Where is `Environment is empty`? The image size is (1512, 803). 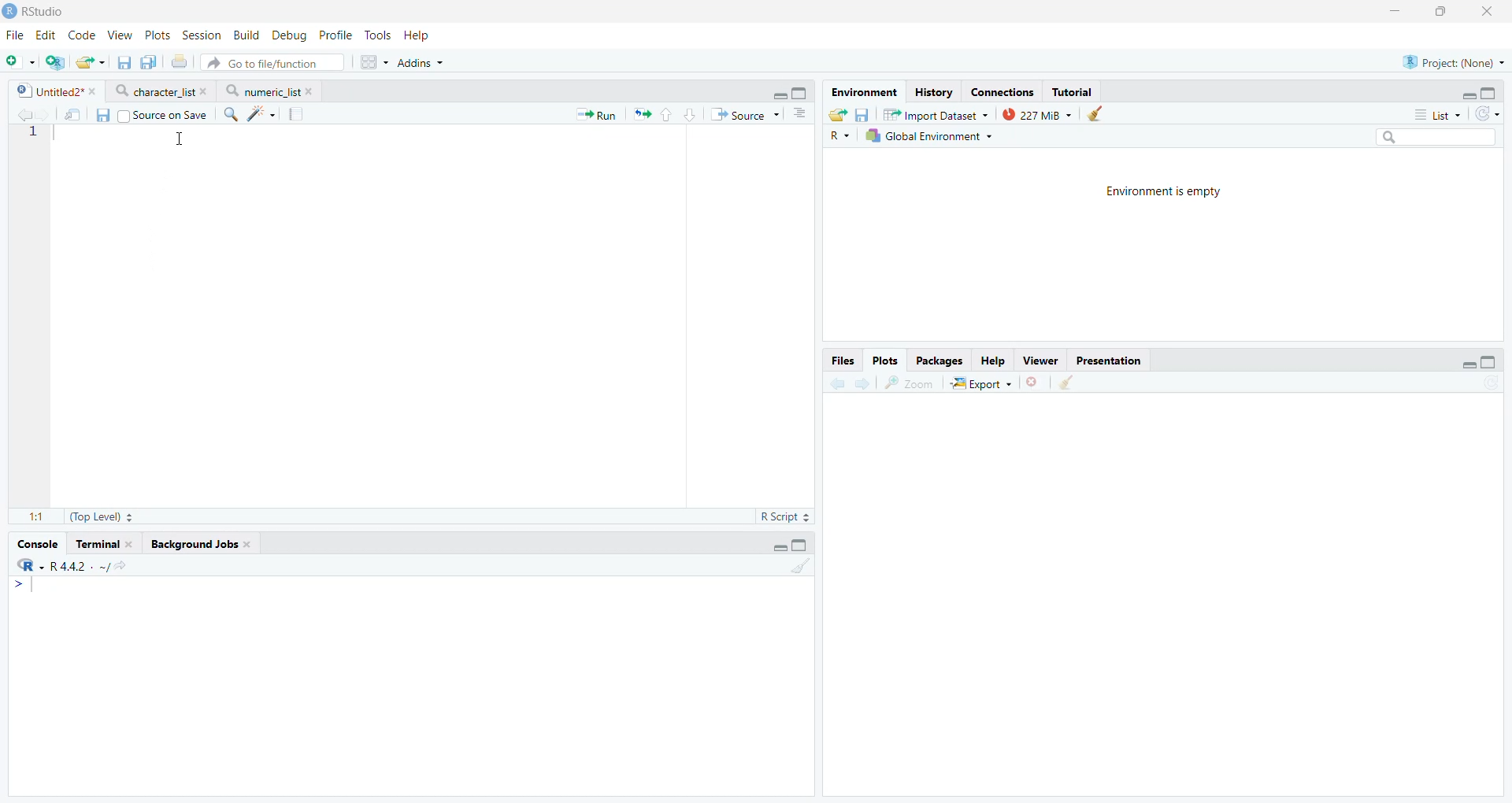
Environment is empty is located at coordinates (1163, 194).